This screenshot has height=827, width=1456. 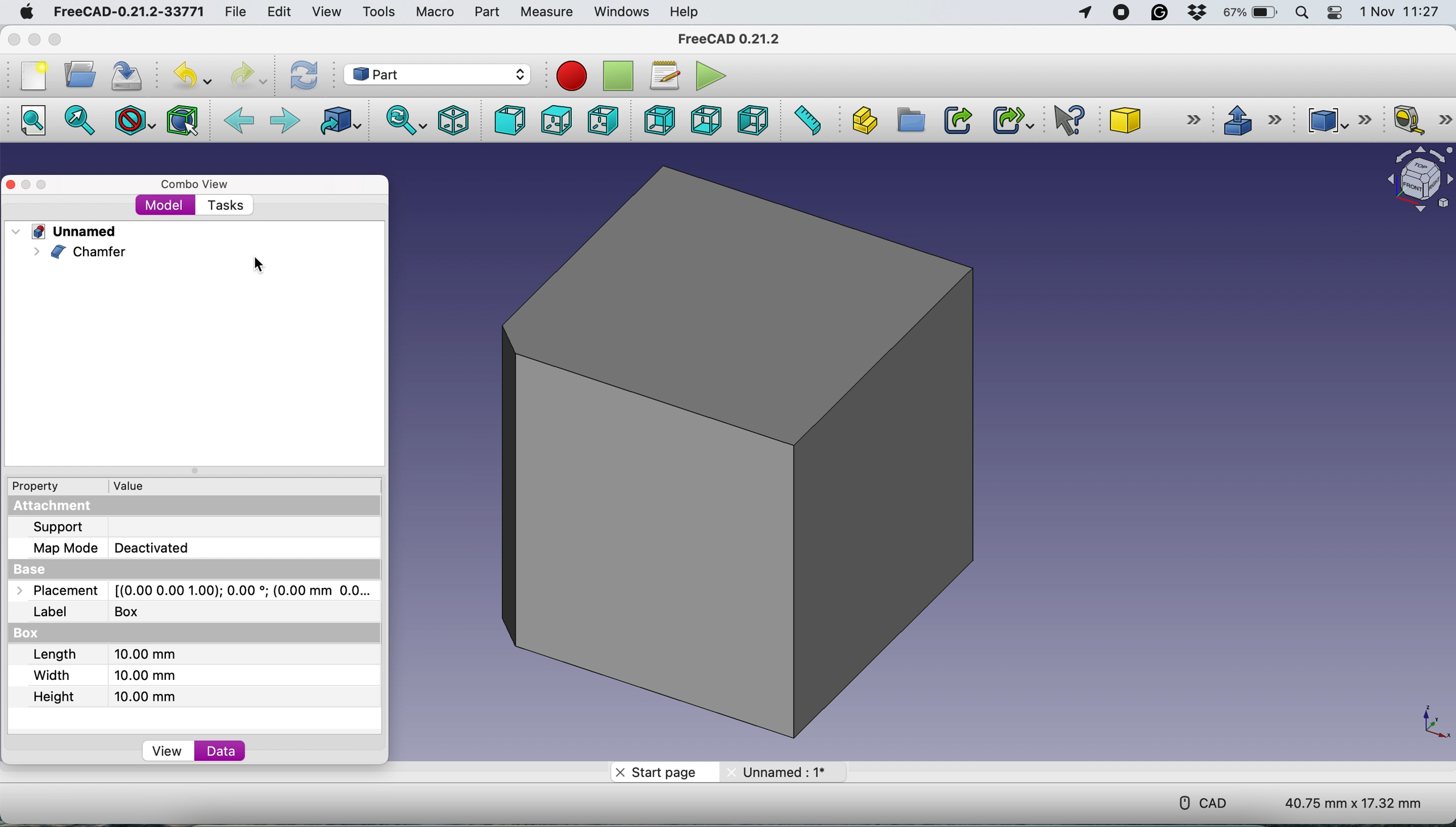 What do you see at coordinates (101, 654) in the screenshot?
I see `length` at bounding box center [101, 654].